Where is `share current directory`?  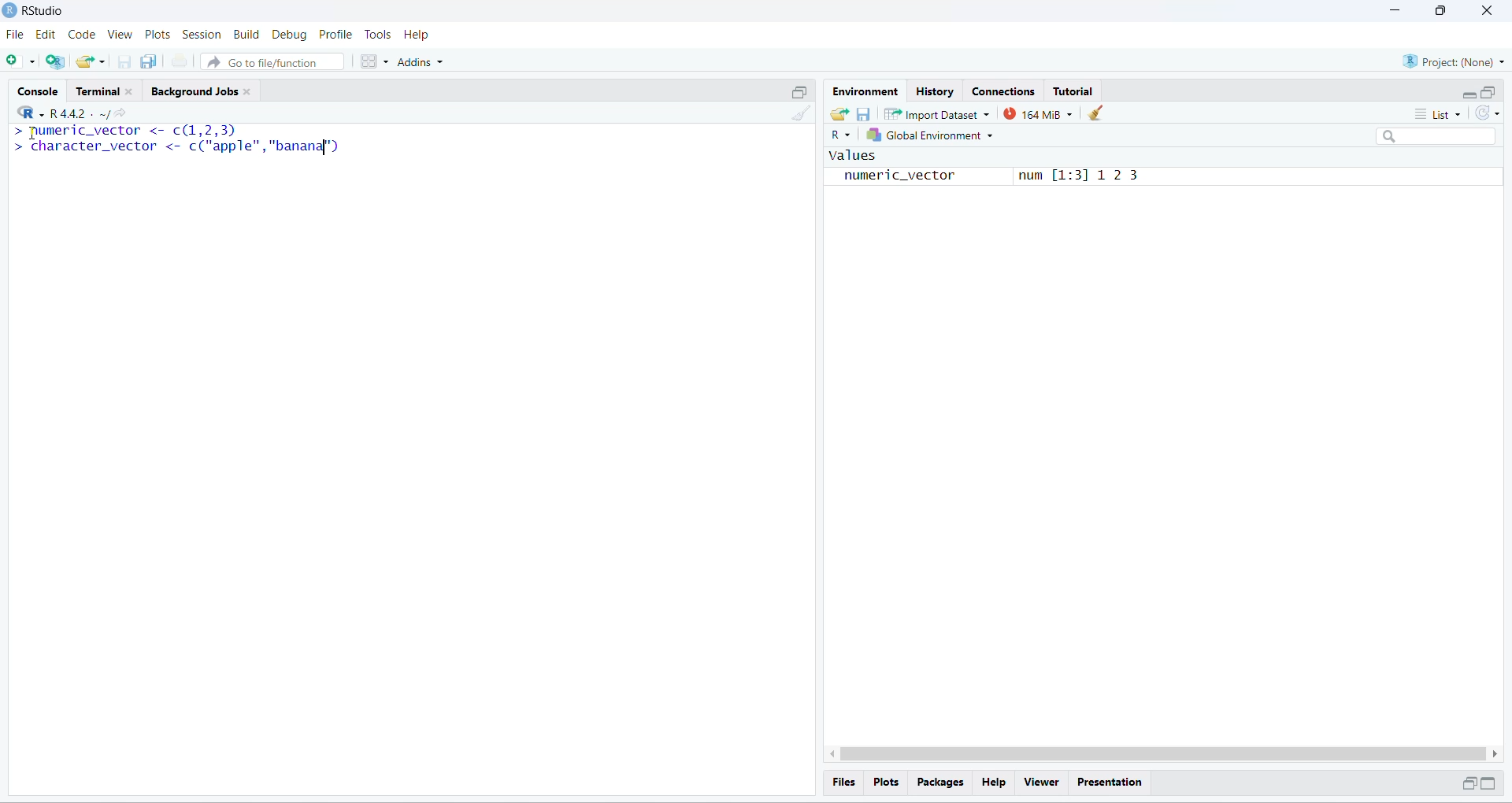 share current directory is located at coordinates (113, 116).